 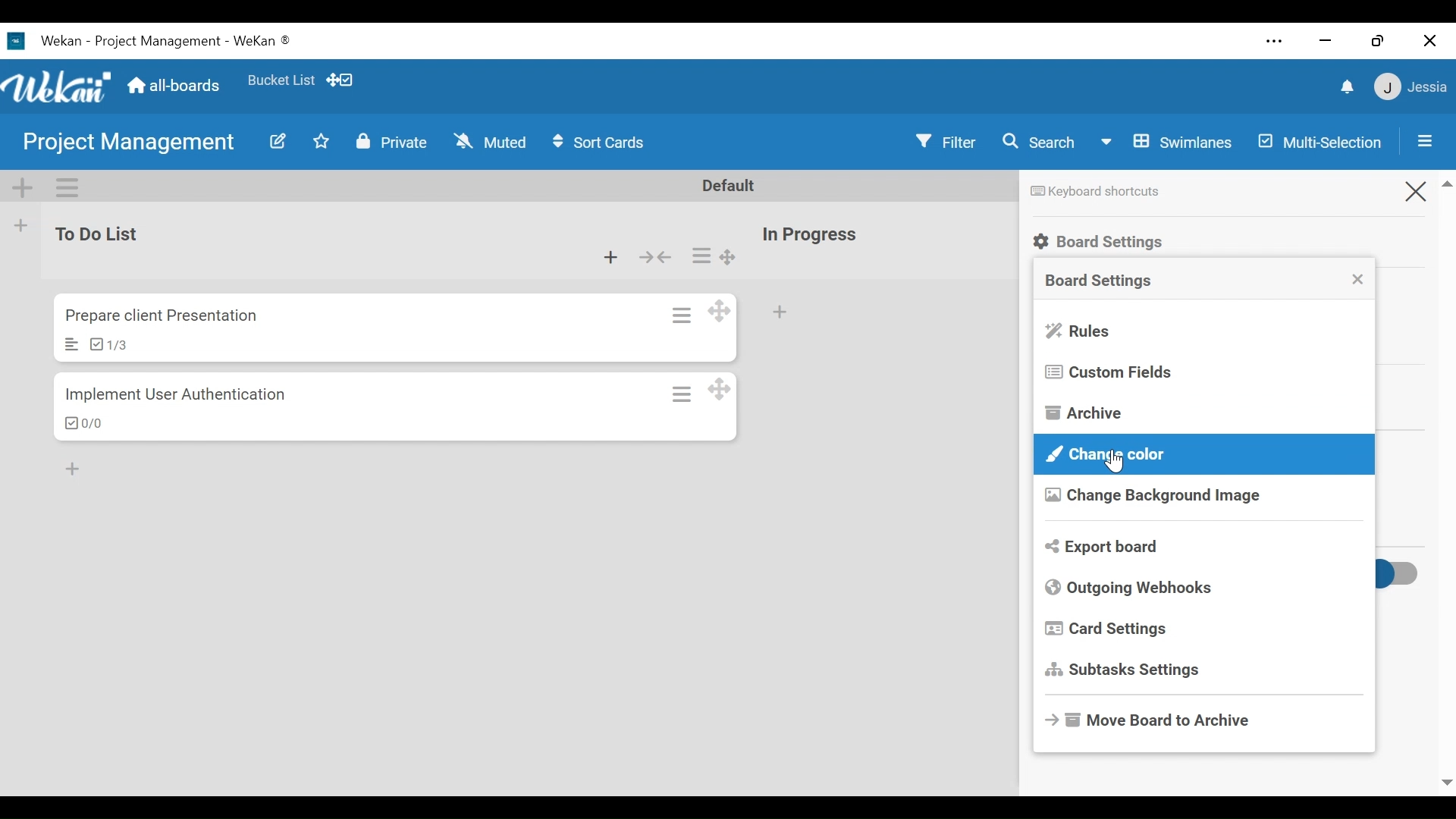 I want to click on Show Desktop drag handles, so click(x=344, y=80).